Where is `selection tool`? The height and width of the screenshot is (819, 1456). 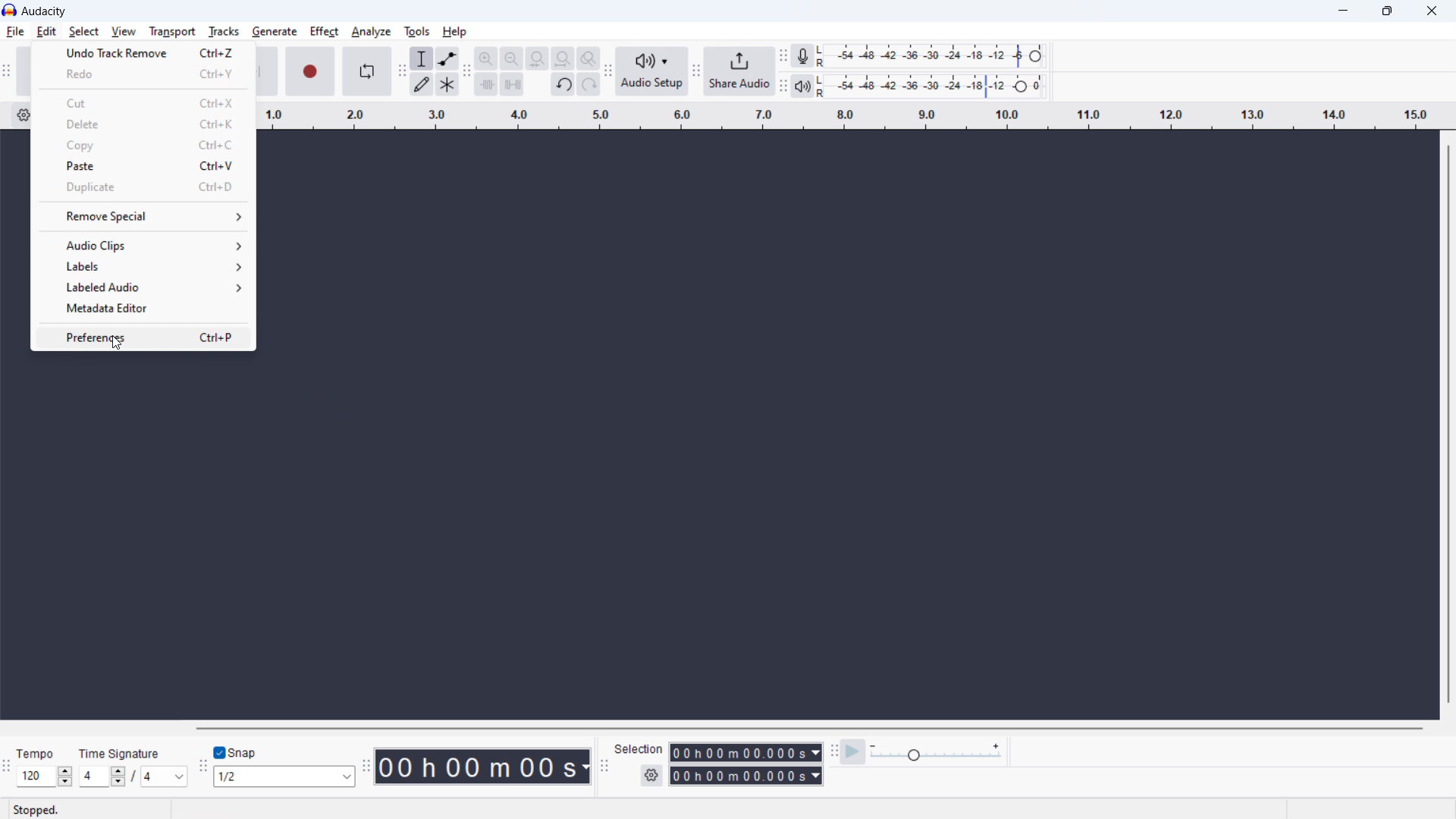
selection tool is located at coordinates (422, 58).